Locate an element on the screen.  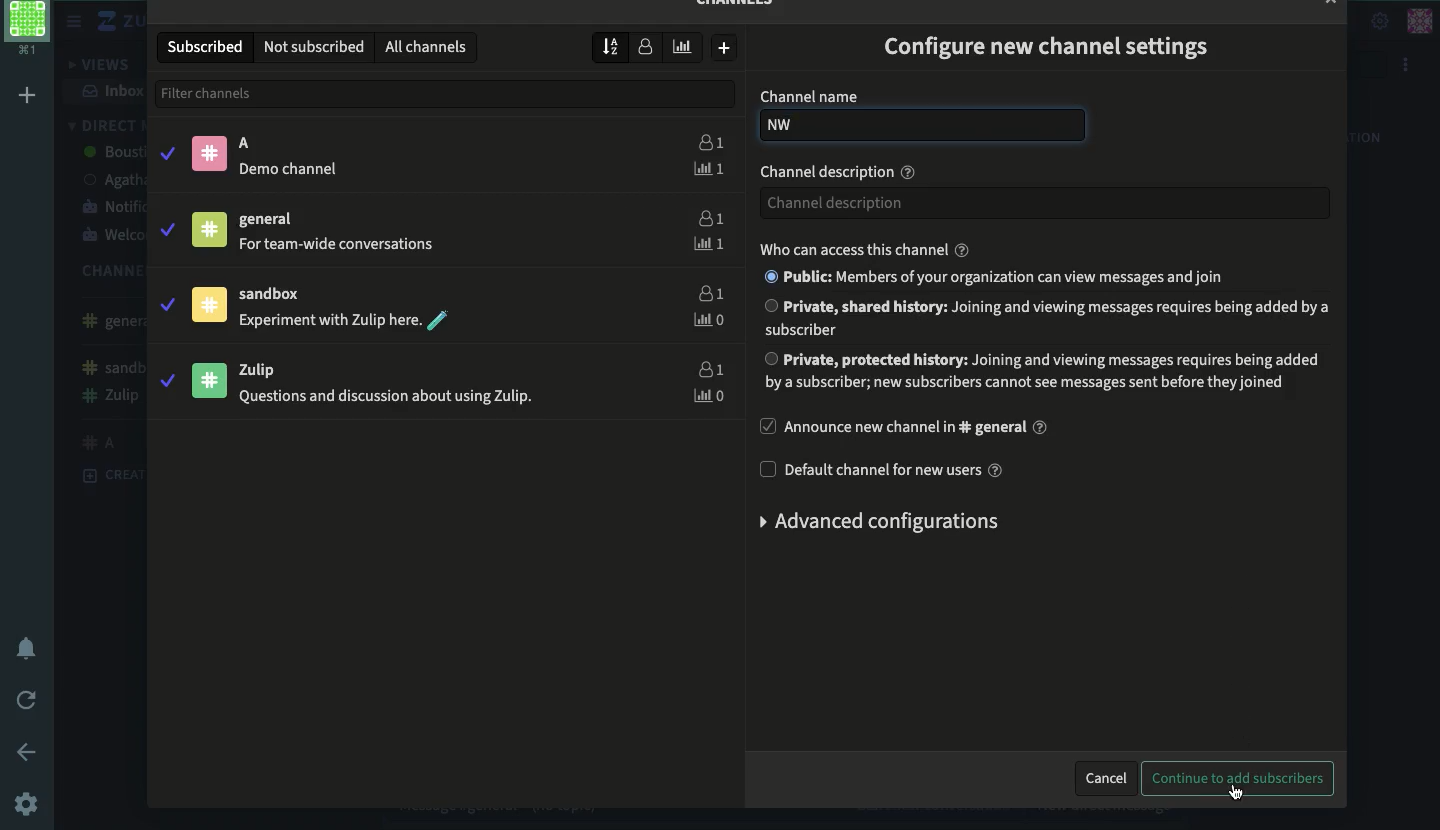
add workspace is located at coordinates (28, 97).